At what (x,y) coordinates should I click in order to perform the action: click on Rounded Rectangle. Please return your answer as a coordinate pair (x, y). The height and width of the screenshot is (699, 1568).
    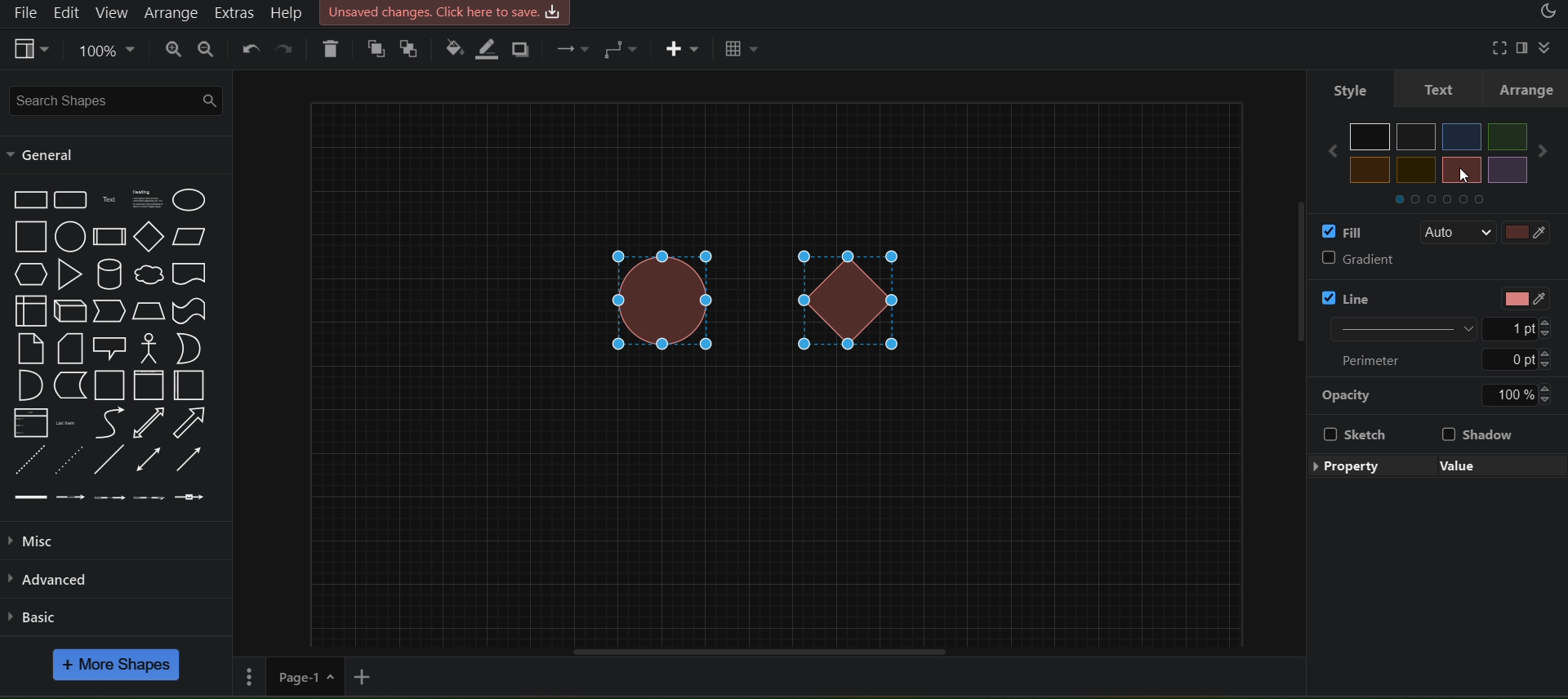
    Looking at the image, I should click on (72, 200).